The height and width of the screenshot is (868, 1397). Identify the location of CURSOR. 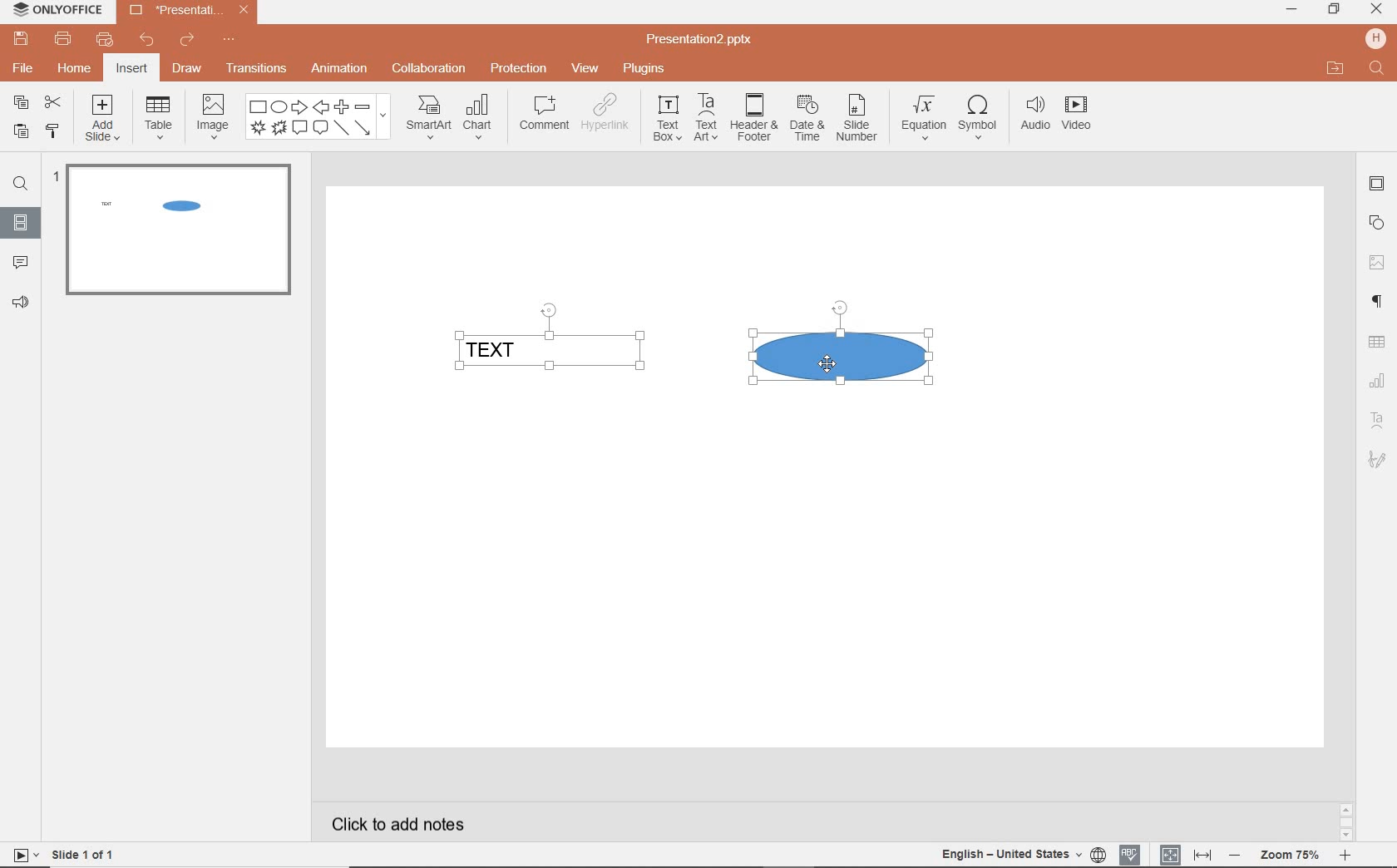
(827, 364).